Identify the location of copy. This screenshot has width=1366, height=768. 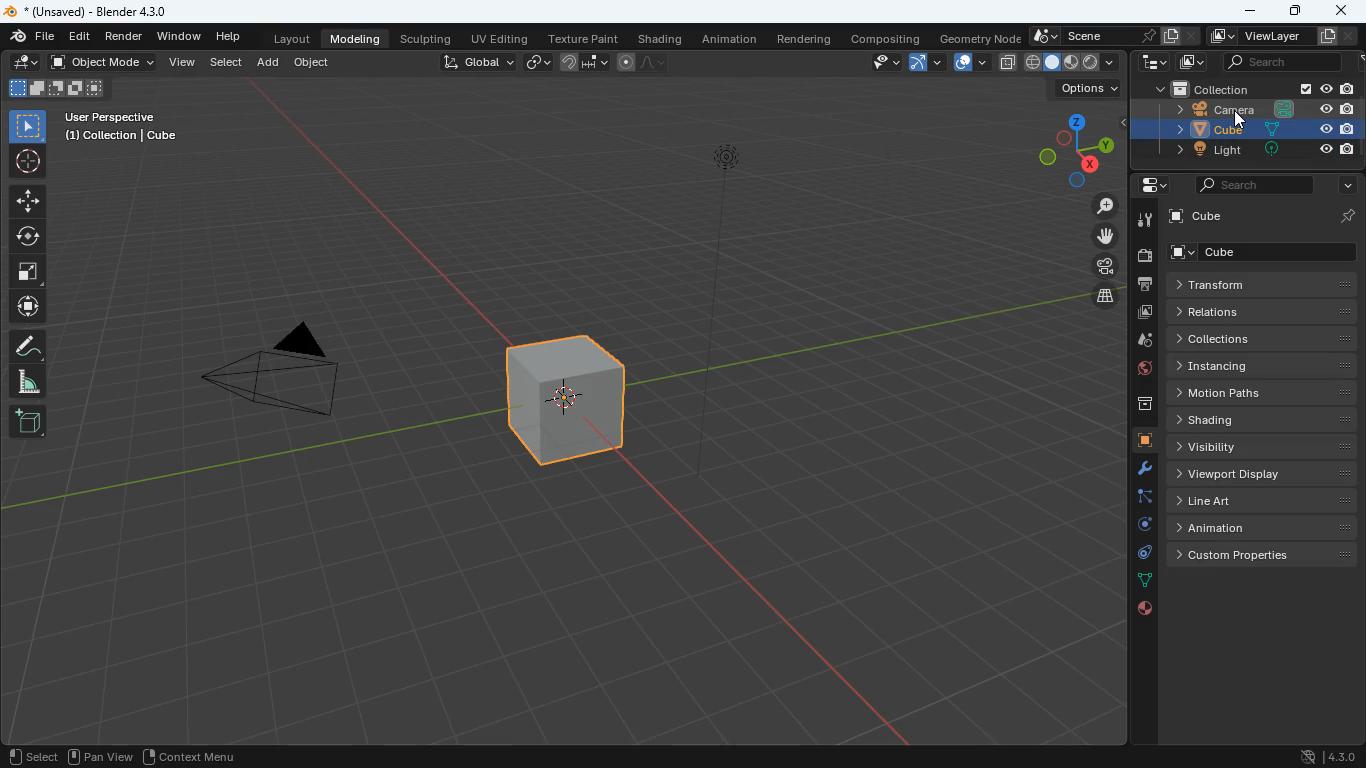
(1007, 64).